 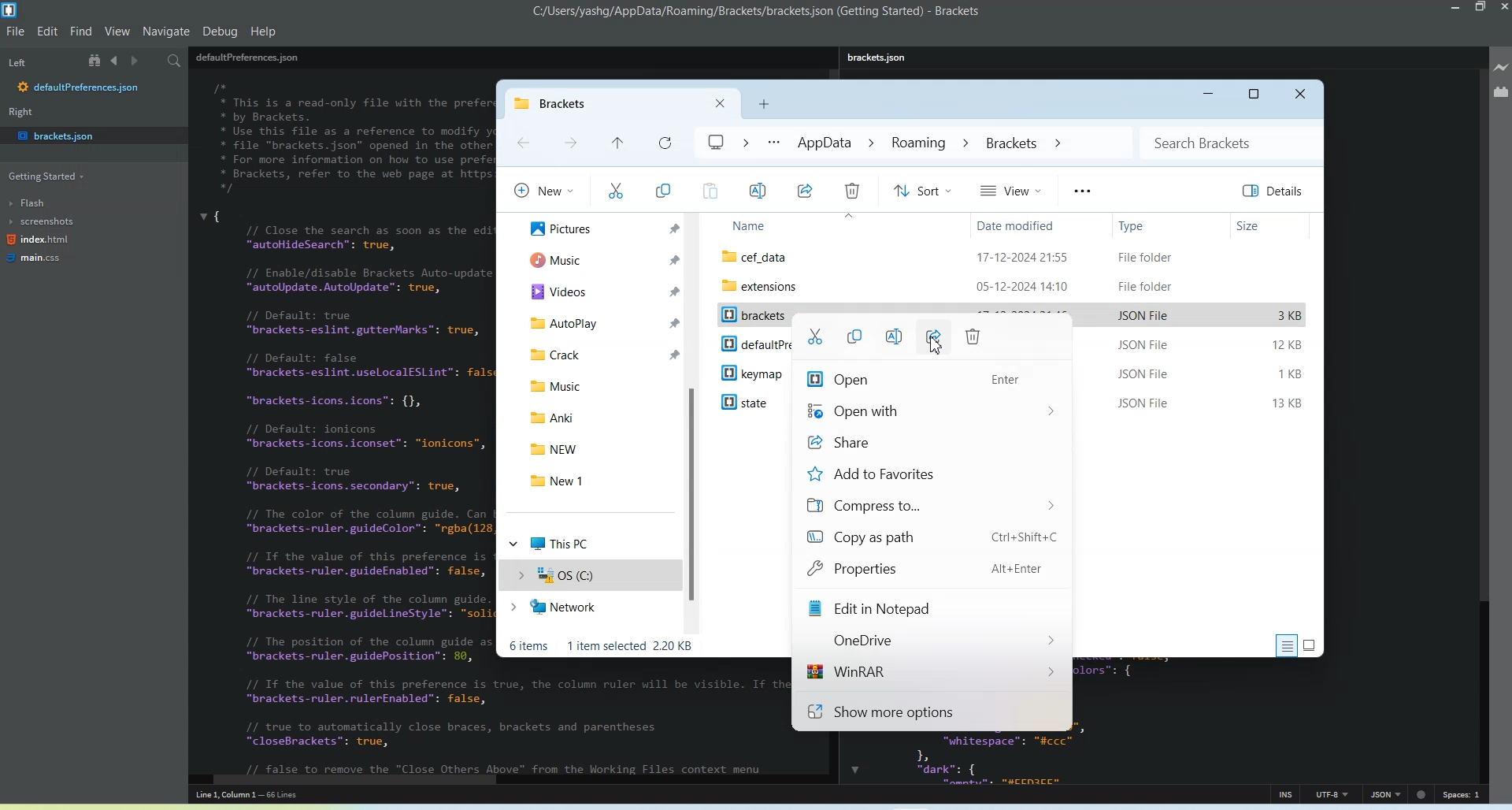 I want to click on Edit in Notepad, so click(x=932, y=610).